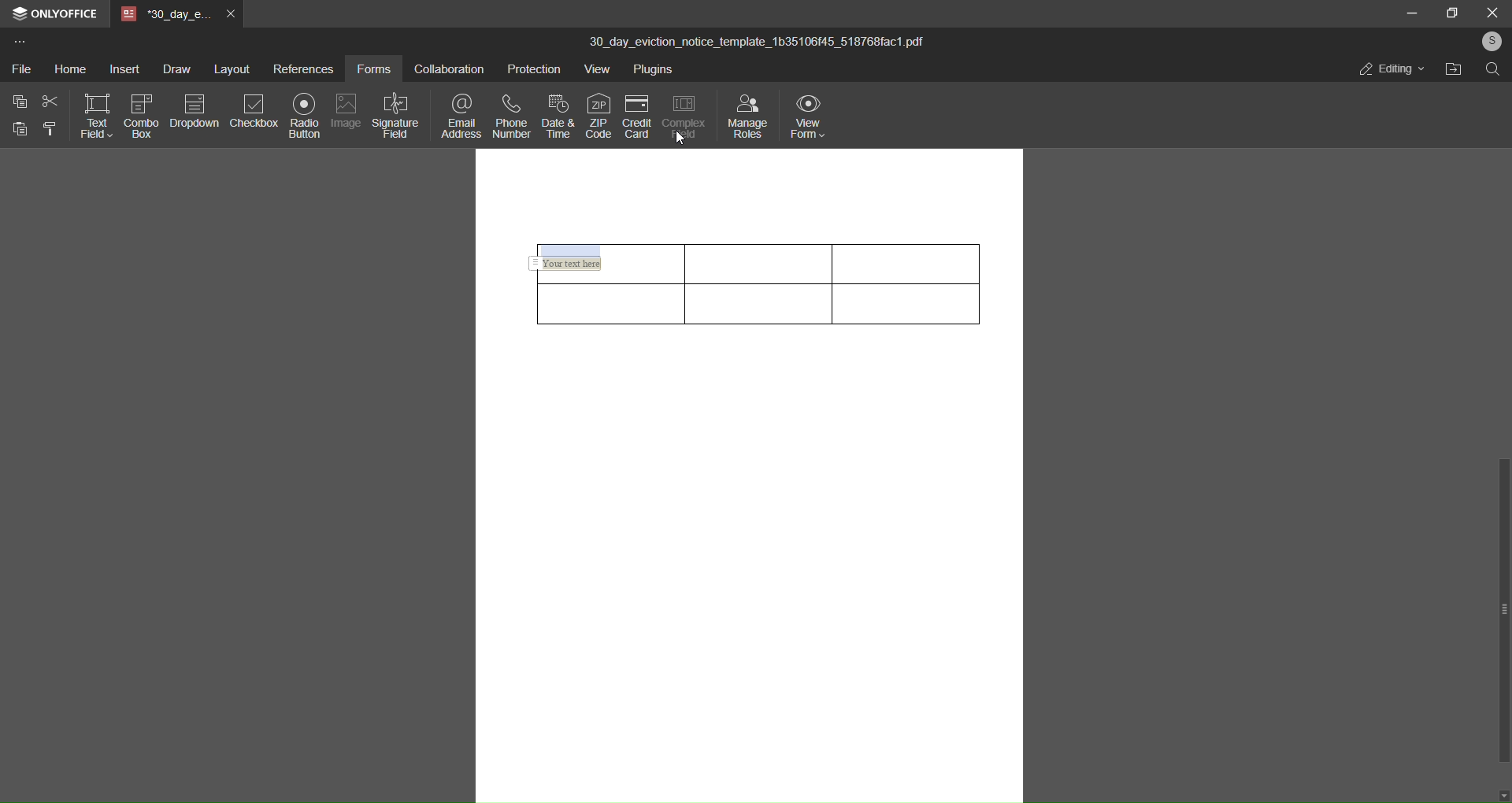  I want to click on draw, so click(174, 68).